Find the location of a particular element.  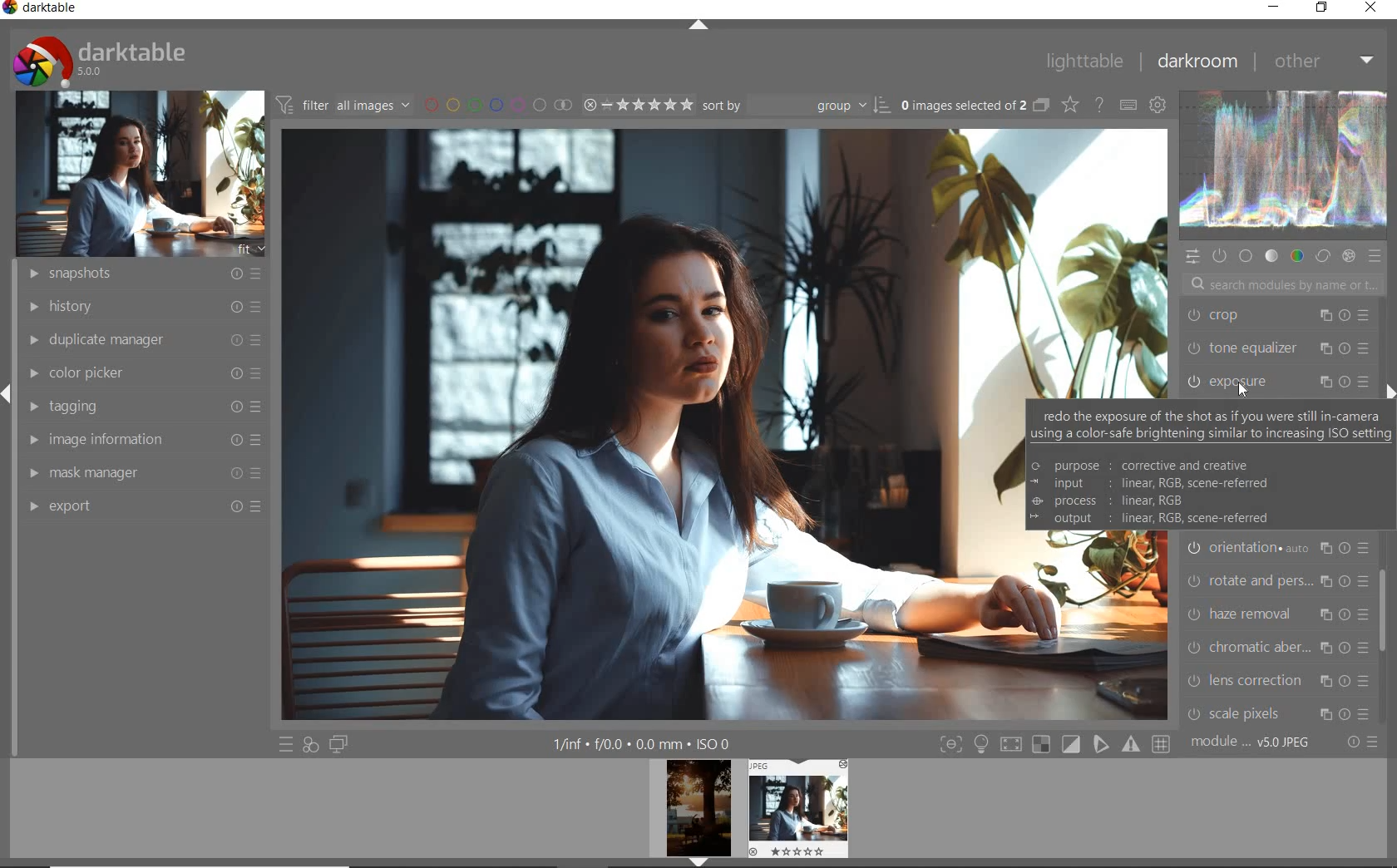

FILTER BY IMAGE COLOR LABEL is located at coordinates (496, 106).